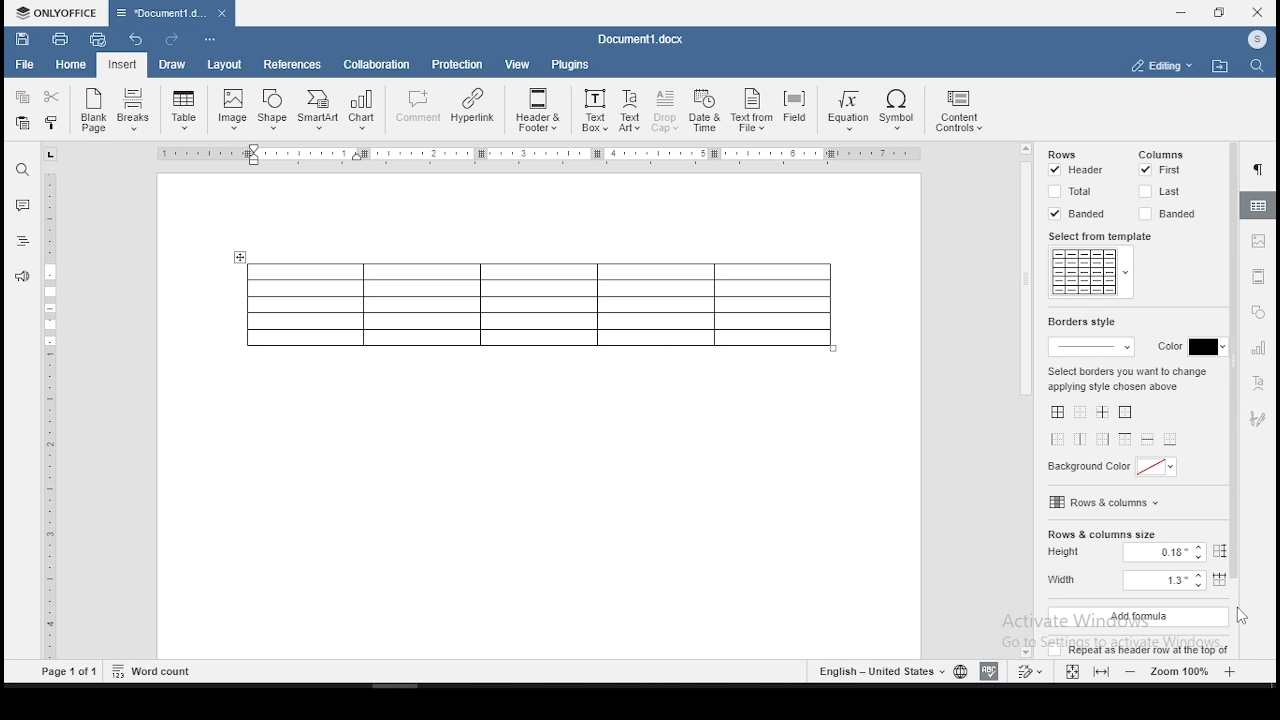 The image size is (1280, 720). What do you see at coordinates (22, 203) in the screenshot?
I see `comment` at bounding box center [22, 203].